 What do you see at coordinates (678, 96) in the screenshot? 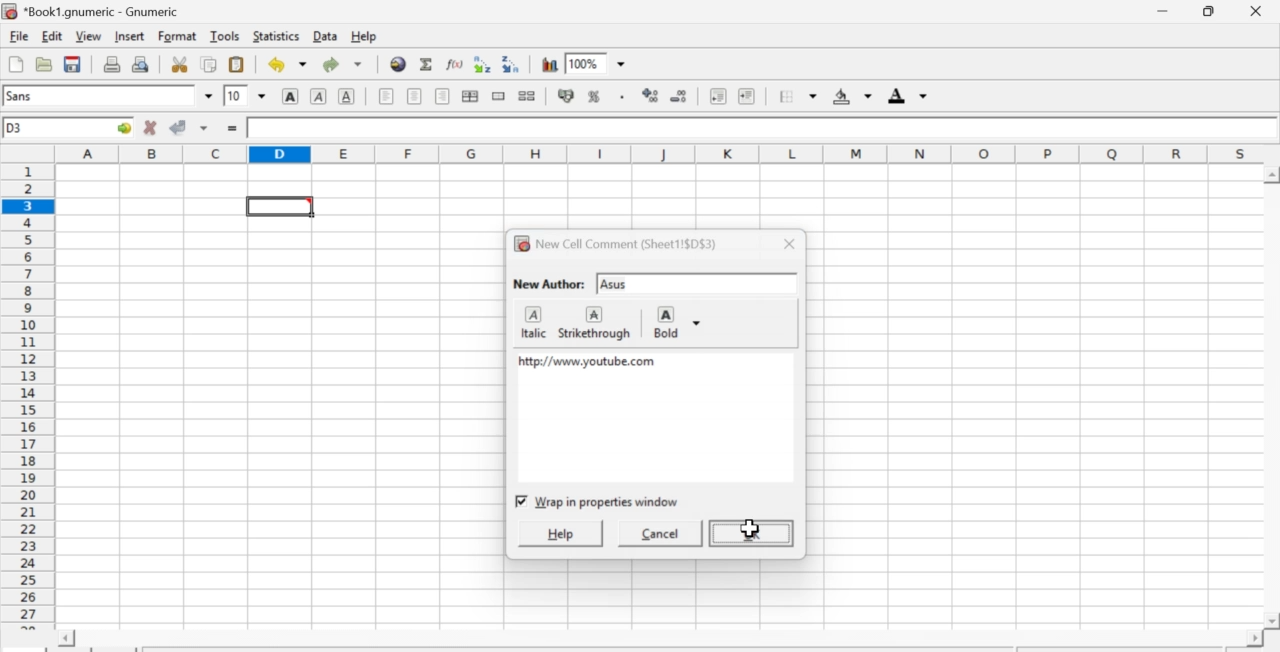
I see `Decrease number of decimals` at bounding box center [678, 96].